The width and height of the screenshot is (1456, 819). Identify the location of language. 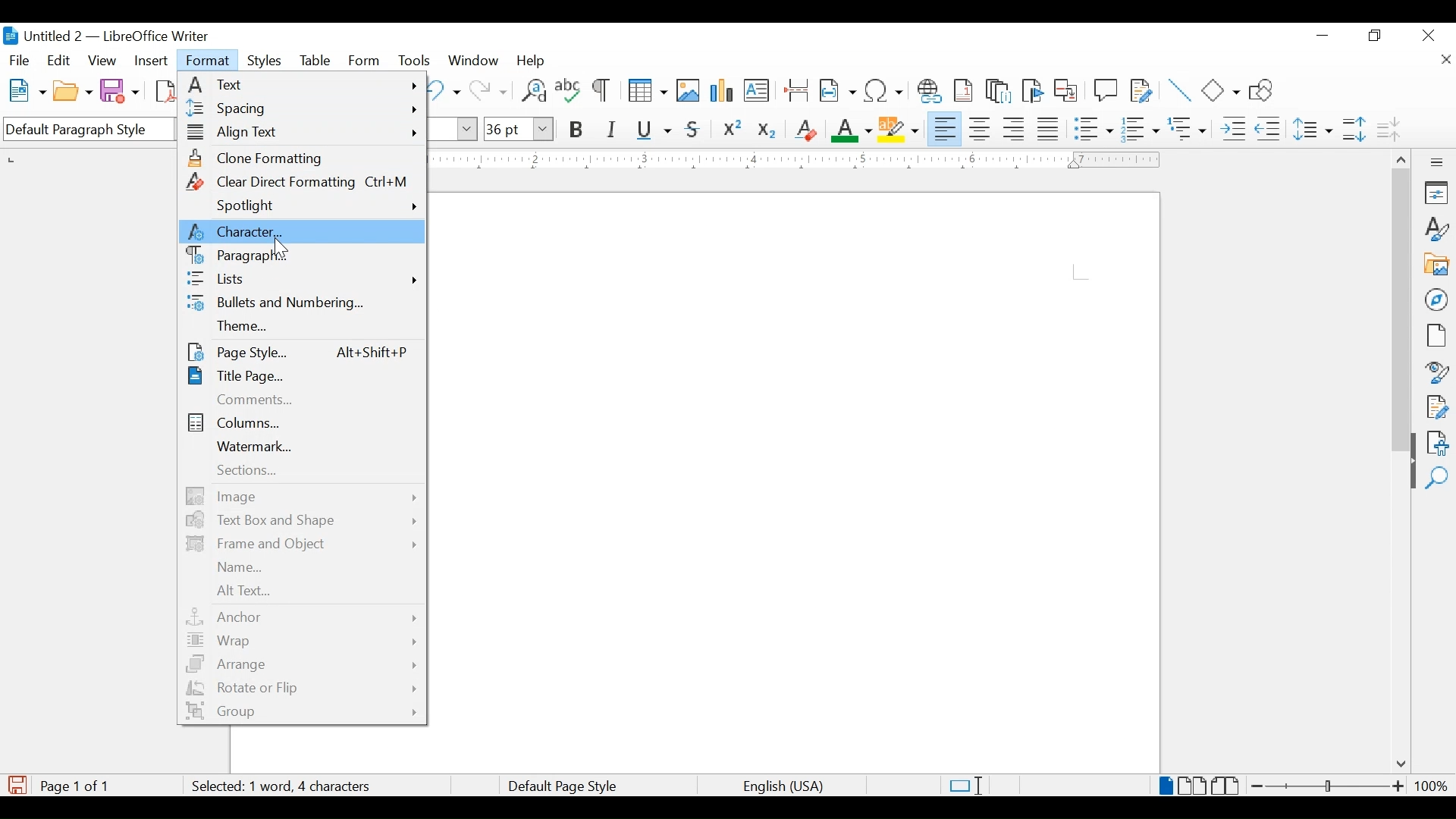
(785, 787).